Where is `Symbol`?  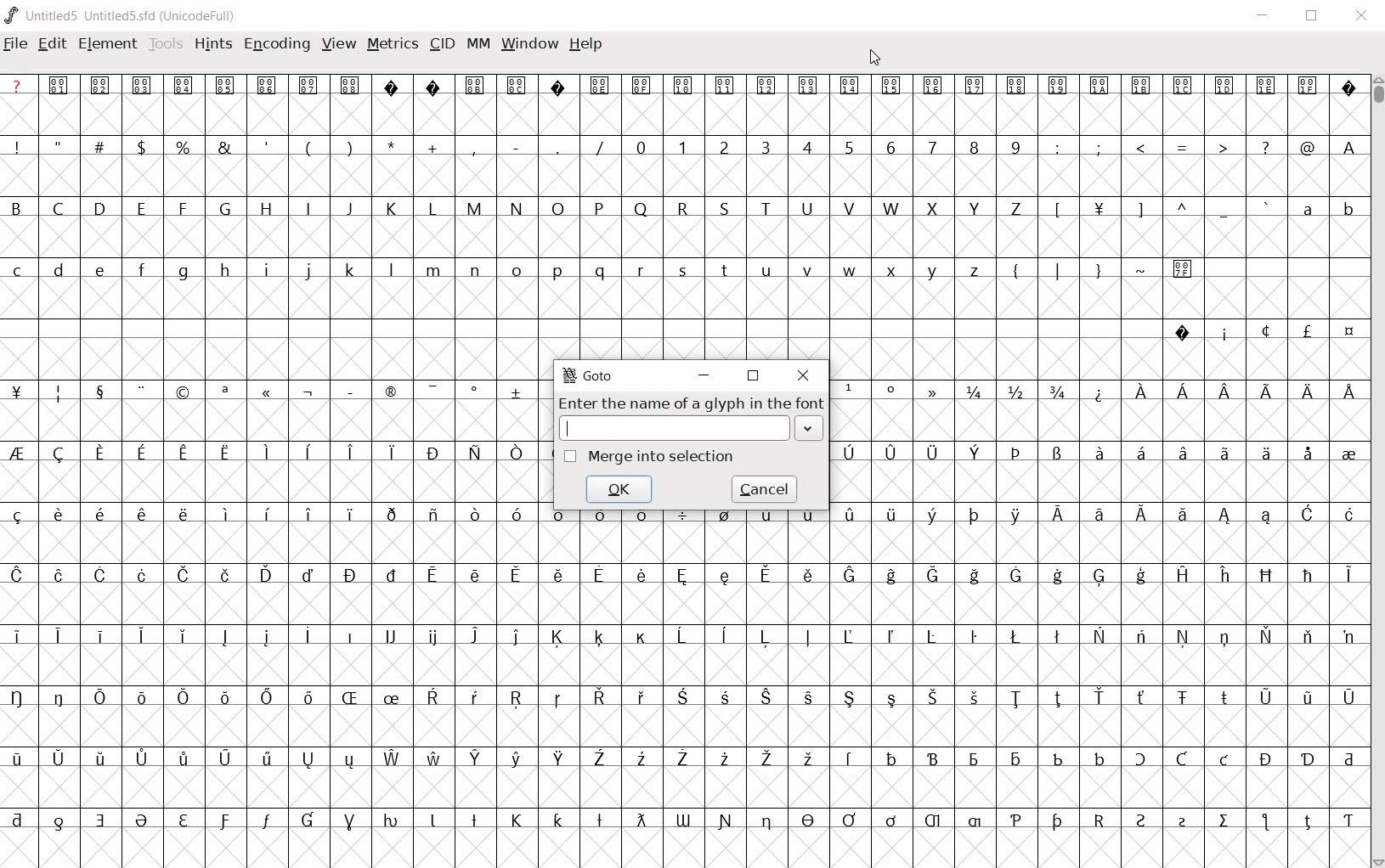 Symbol is located at coordinates (350, 575).